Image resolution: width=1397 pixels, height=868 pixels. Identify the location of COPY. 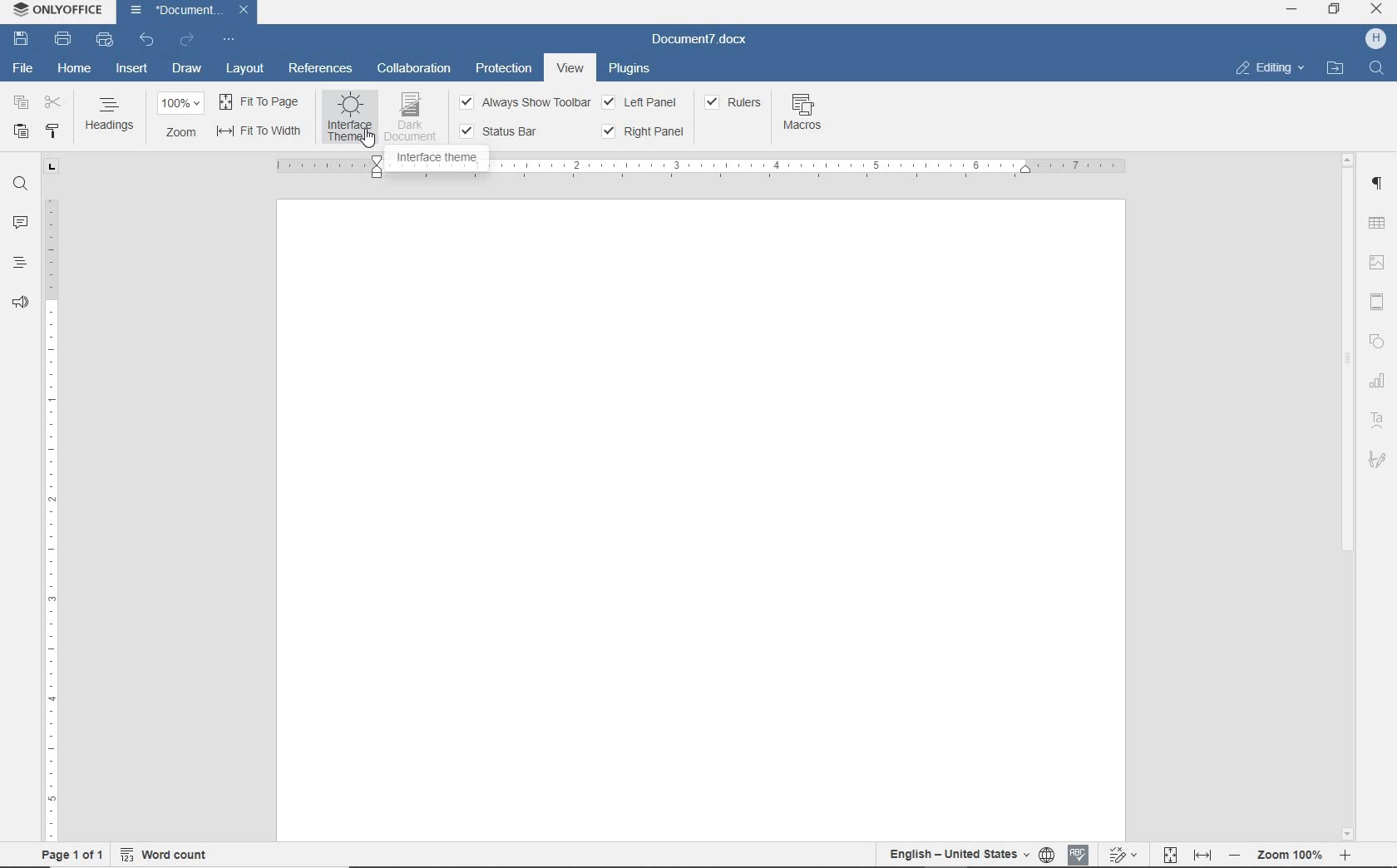
(21, 104).